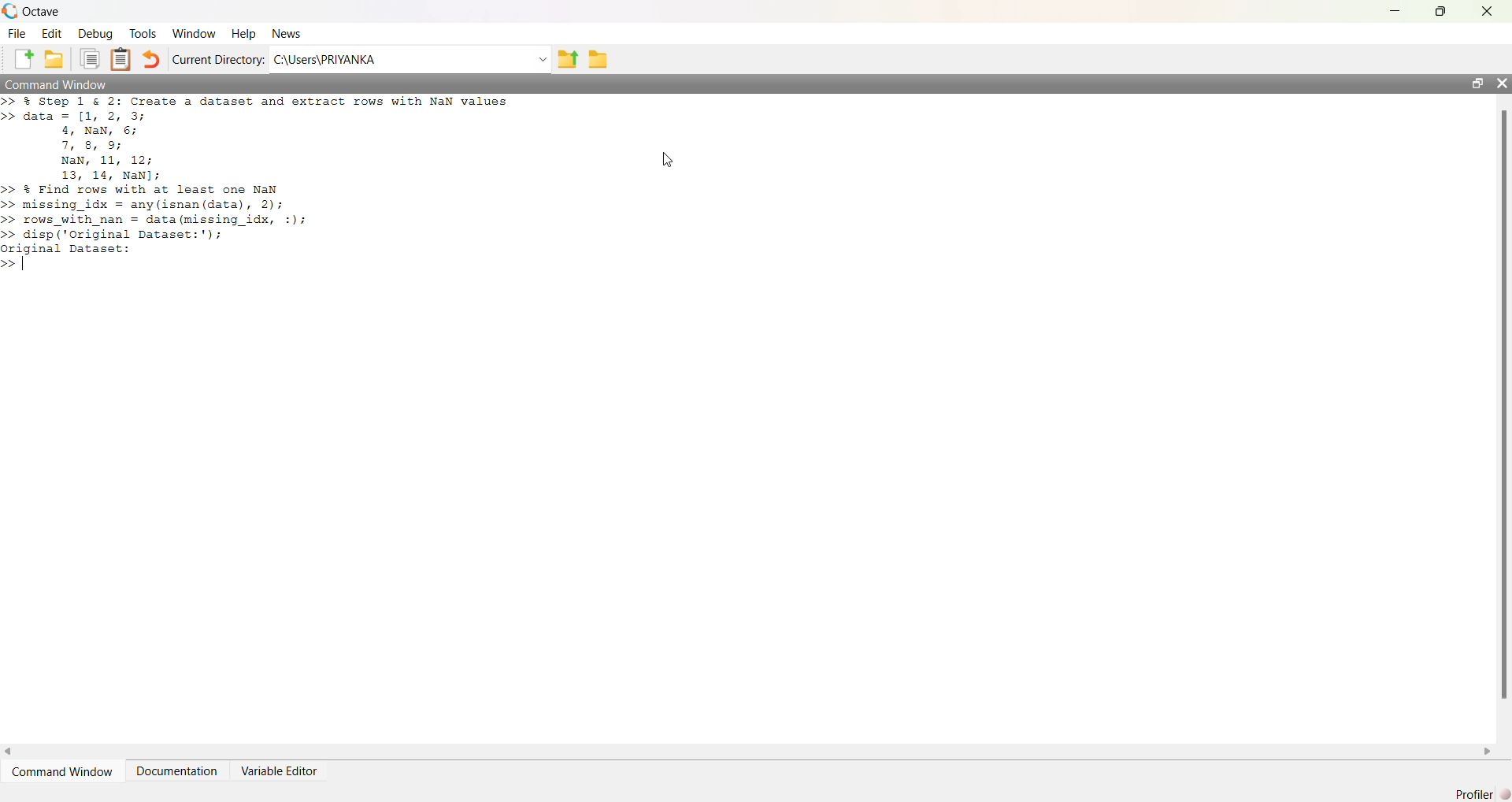 The image size is (1512, 802). What do you see at coordinates (567, 61) in the screenshot?
I see `previous folder` at bounding box center [567, 61].